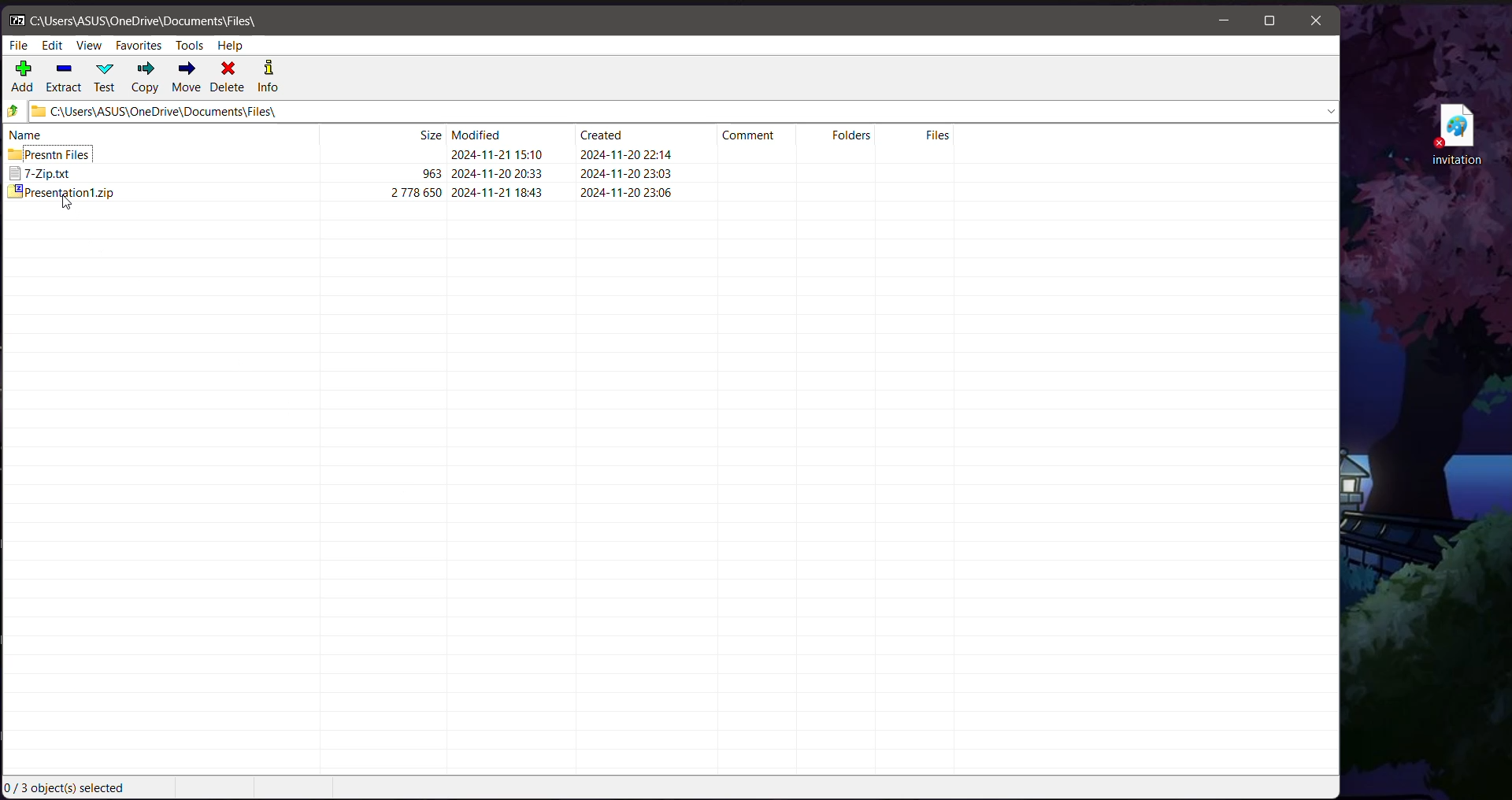 This screenshot has width=1512, height=800. What do you see at coordinates (267, 78) in the screenshot?
I see `Info` at bounding box center [267, 78].